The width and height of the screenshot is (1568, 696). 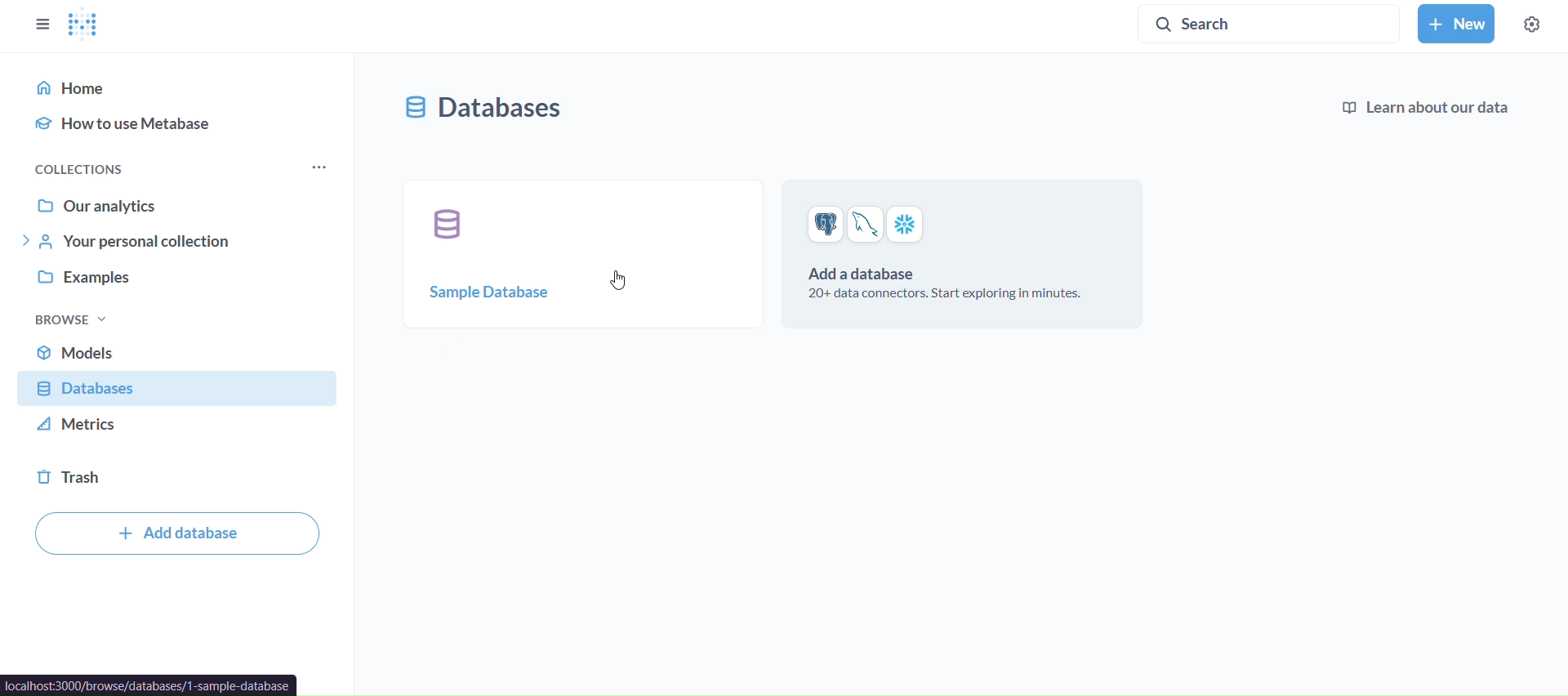 What do you see at coordinates (177, 430) in the screenshot?
I see `metrics` at bounding box center [177, 430].